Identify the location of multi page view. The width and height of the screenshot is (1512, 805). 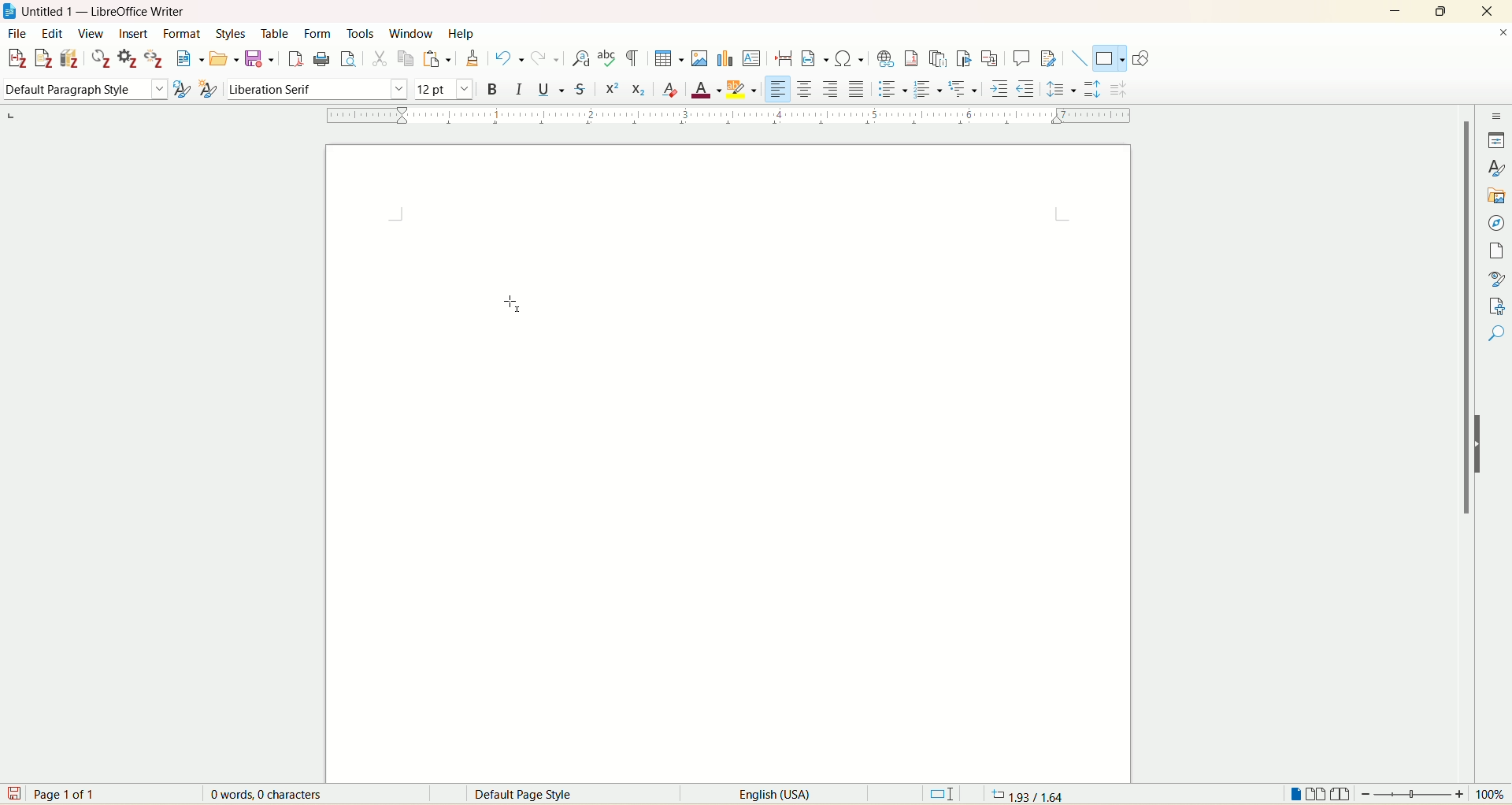
(1317, 793).